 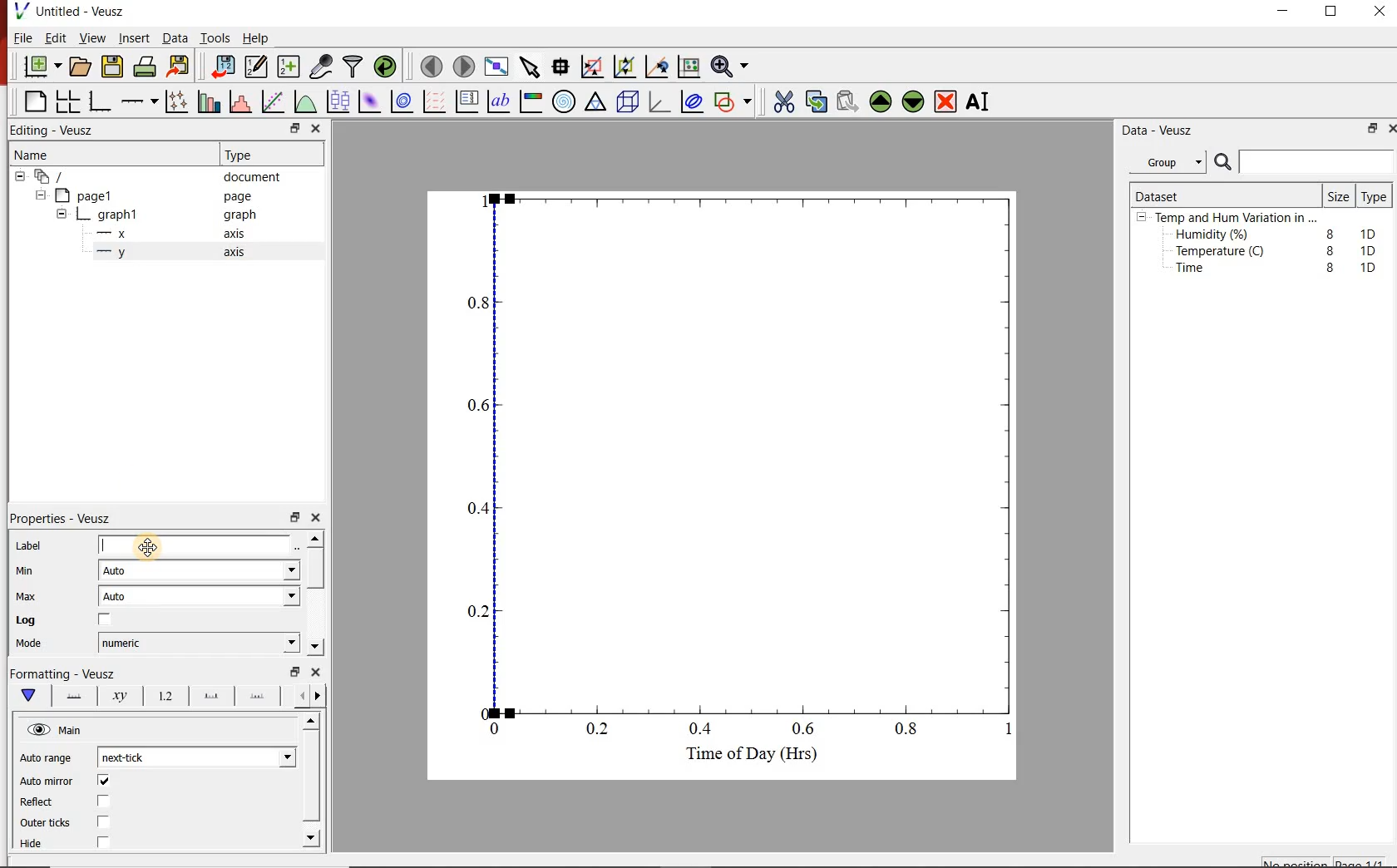 What do you see at coordinates (1372, 232) in the screenshot?
I see `1D` at bounding box center [1372, 232].